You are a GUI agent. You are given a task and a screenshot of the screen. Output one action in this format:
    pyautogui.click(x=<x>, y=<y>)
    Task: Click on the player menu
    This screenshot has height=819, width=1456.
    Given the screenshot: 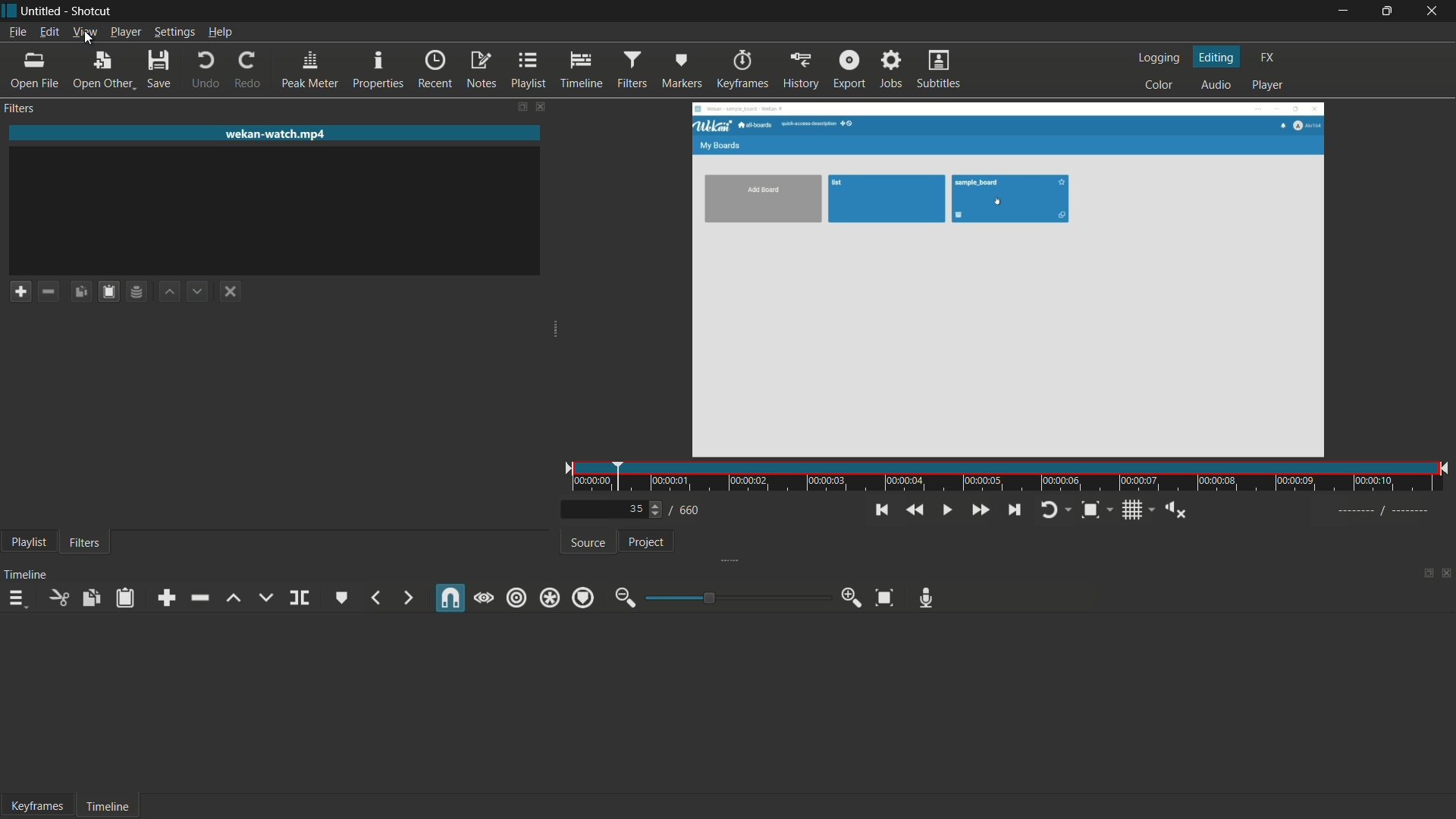 What is the action you would take?
    pyautogui.click(x=126, y=33)
    